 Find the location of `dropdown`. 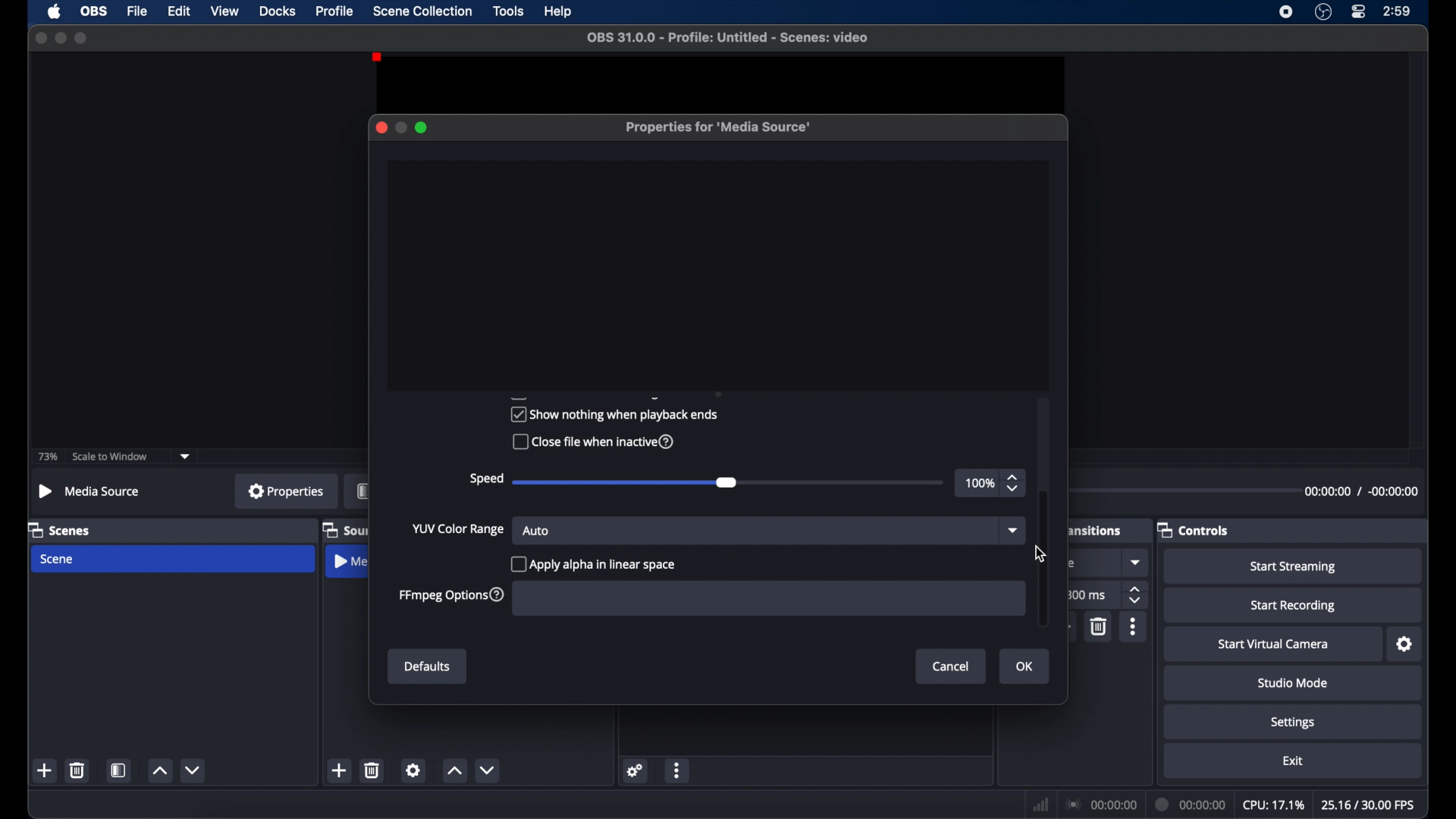

dropdown is located at coordinates (1137, 562).